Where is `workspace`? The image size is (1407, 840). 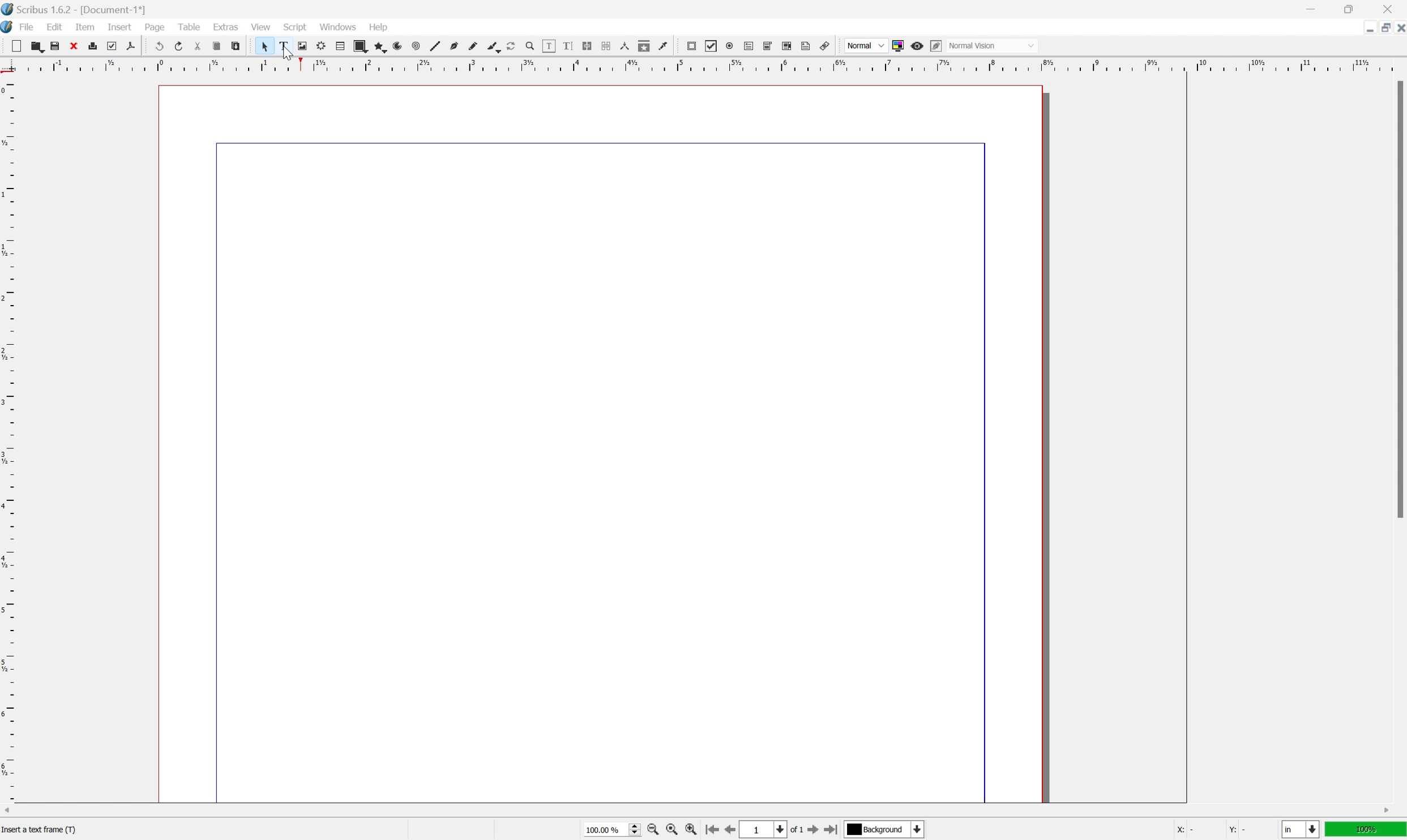
workspace is located at coordinates (606, 445).